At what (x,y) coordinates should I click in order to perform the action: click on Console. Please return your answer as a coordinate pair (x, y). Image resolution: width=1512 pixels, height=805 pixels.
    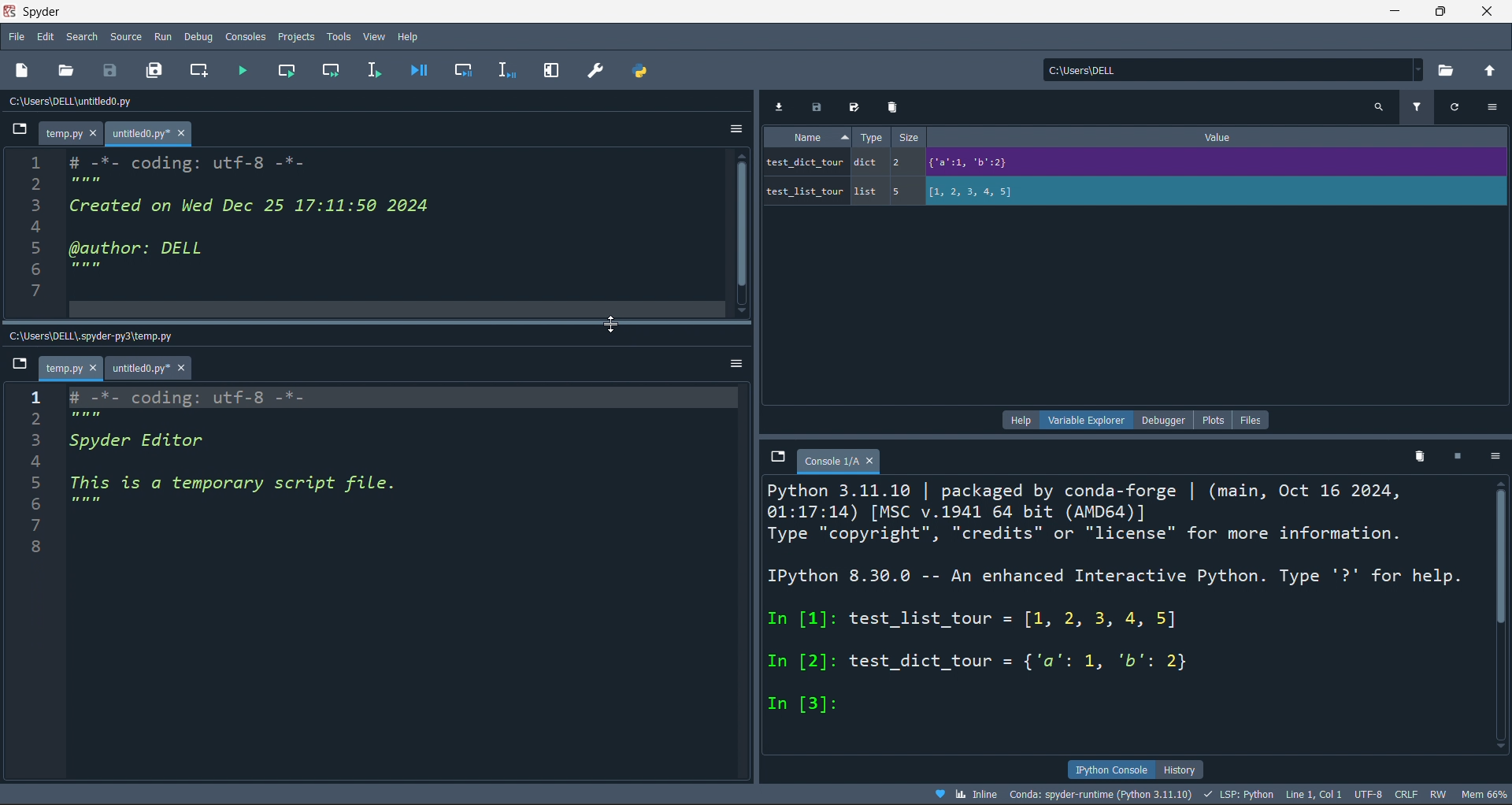
    Looking at the image, I should click on (839, 461).